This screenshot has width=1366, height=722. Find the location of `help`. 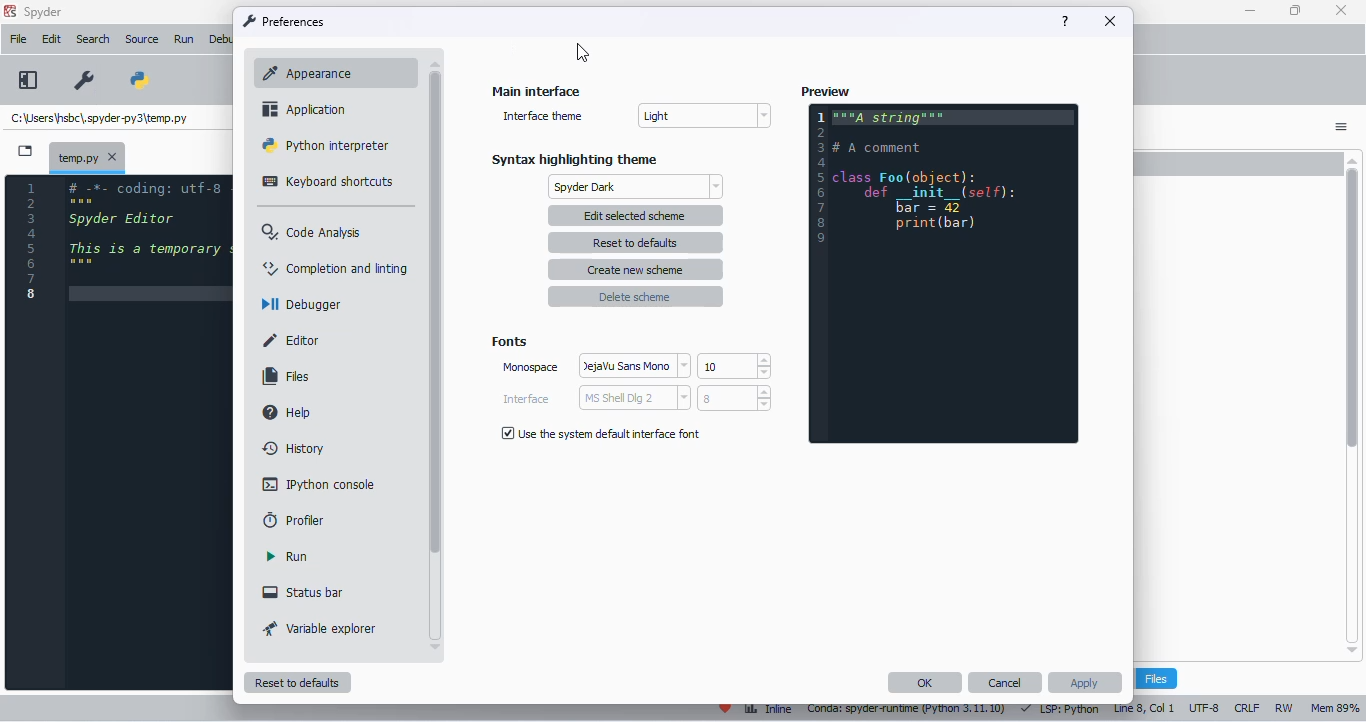

help is located at coordinates (288, 413).